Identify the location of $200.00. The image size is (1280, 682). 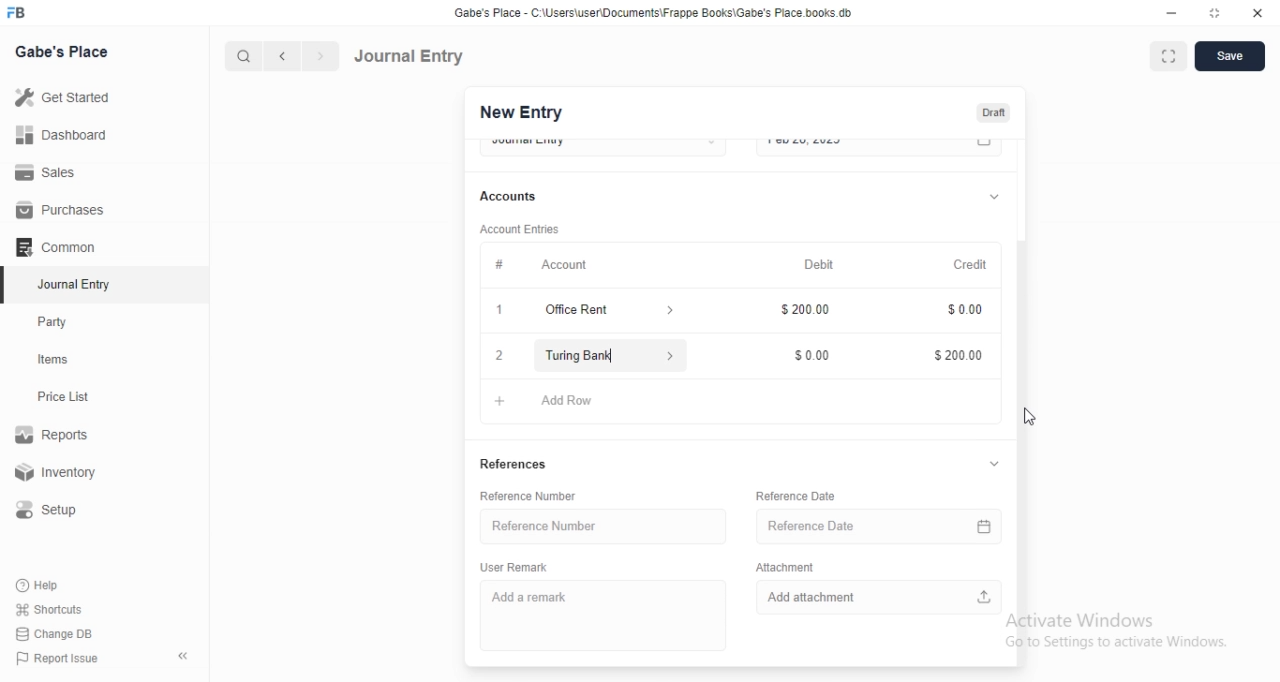
(802, 311).